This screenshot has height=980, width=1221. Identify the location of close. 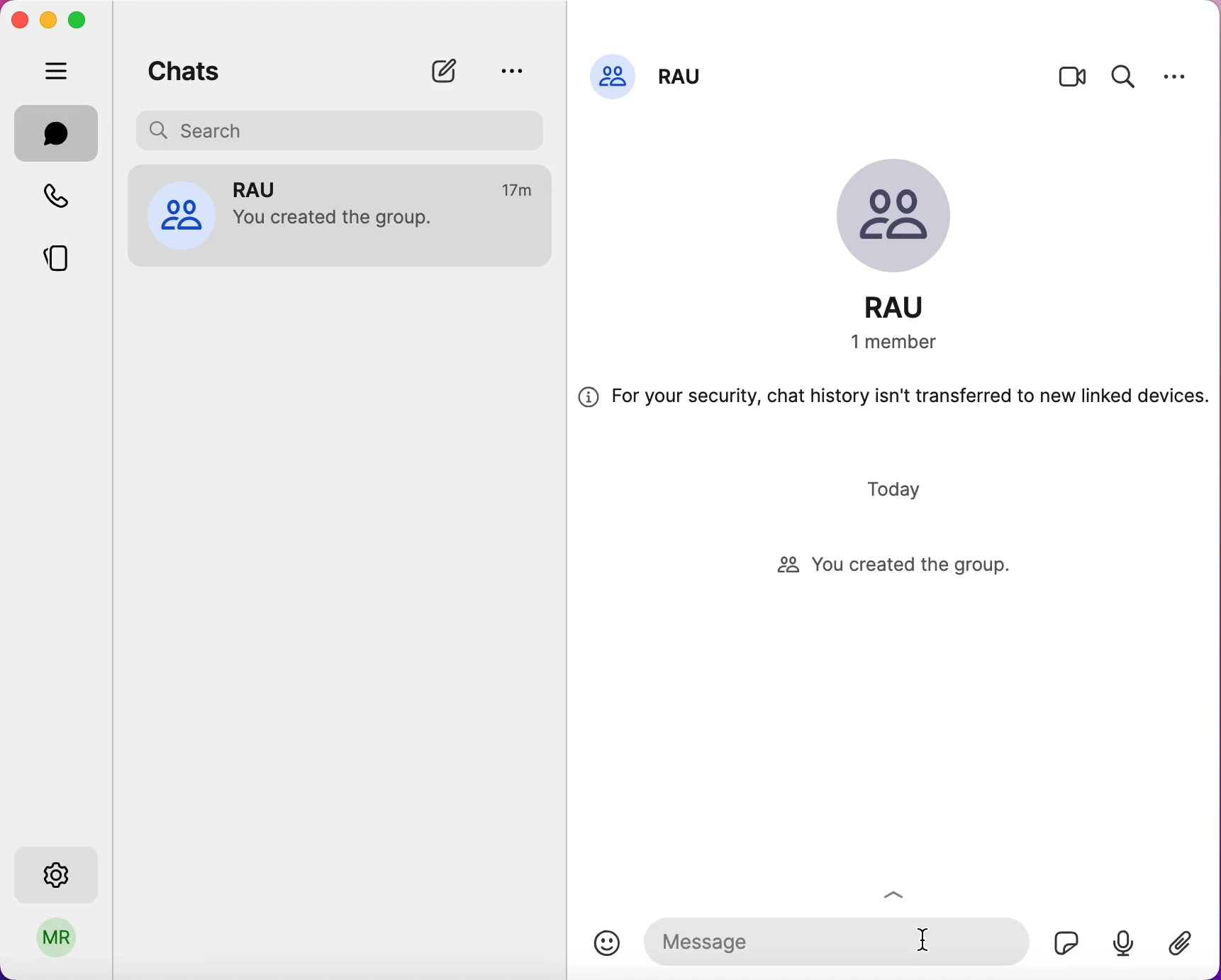
(19, 20).